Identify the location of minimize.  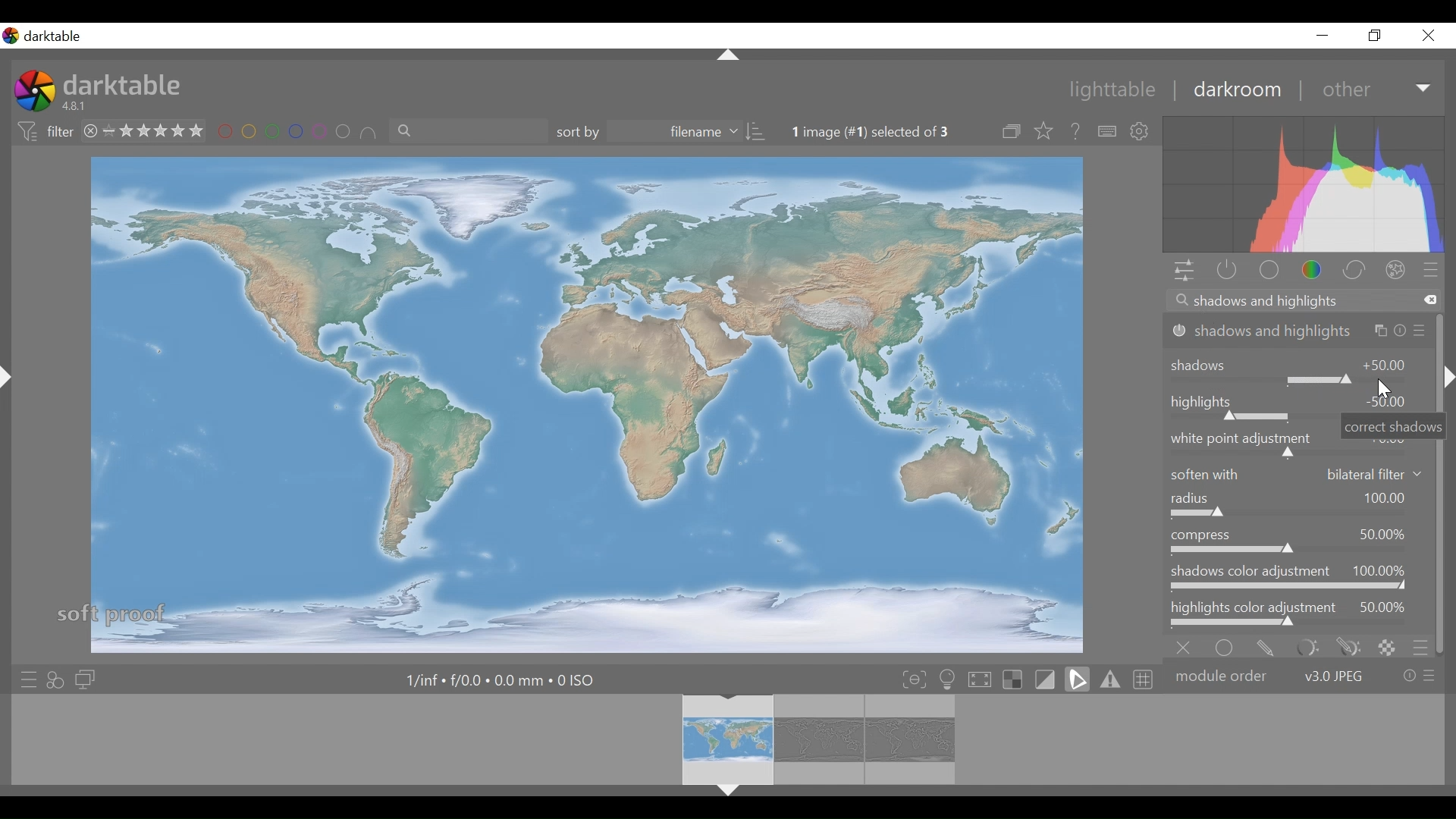
(1326, 35).